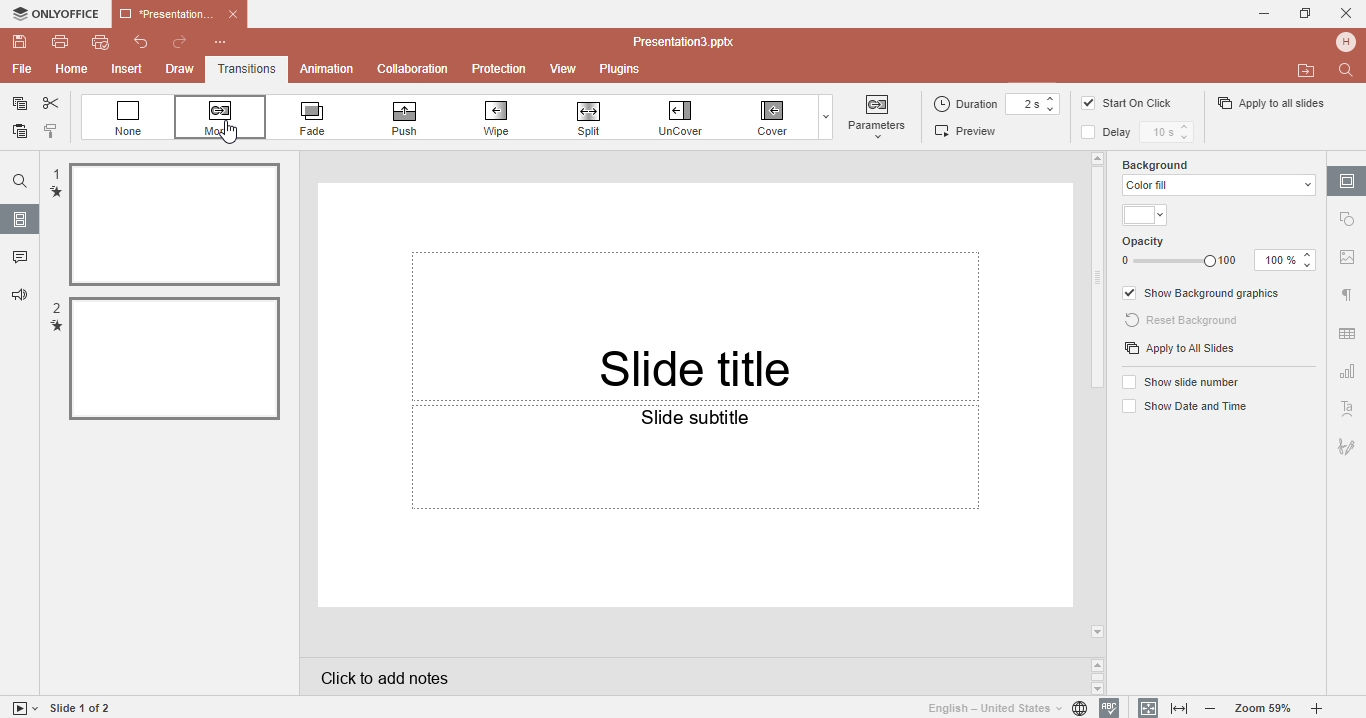  Describe the element at coordinates (1147, 216) in the screenshot. I see `Themes color` at that location.